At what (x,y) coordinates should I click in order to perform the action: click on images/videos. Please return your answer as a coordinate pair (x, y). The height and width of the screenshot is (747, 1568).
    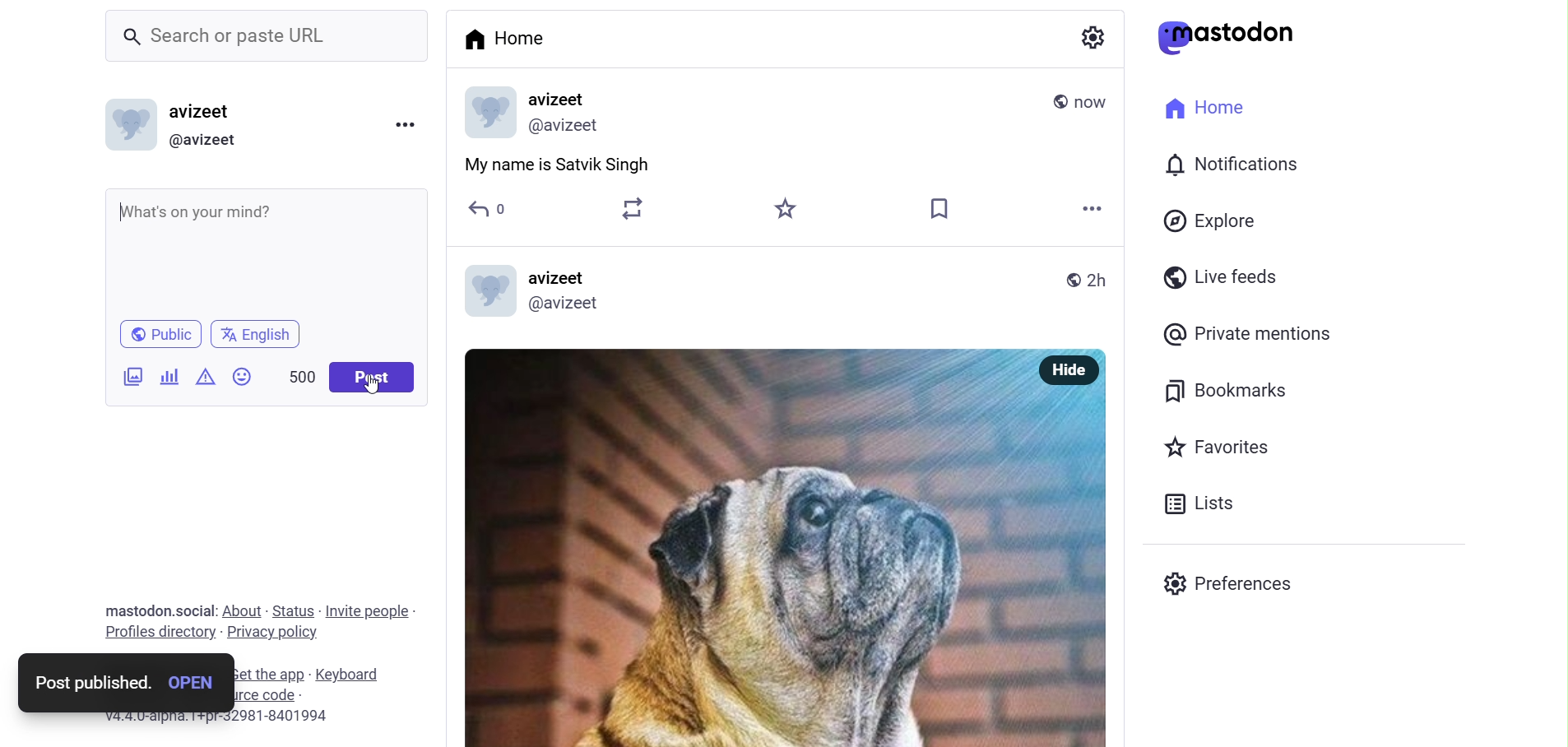
    Looking at the image, I should click on (128, 378).